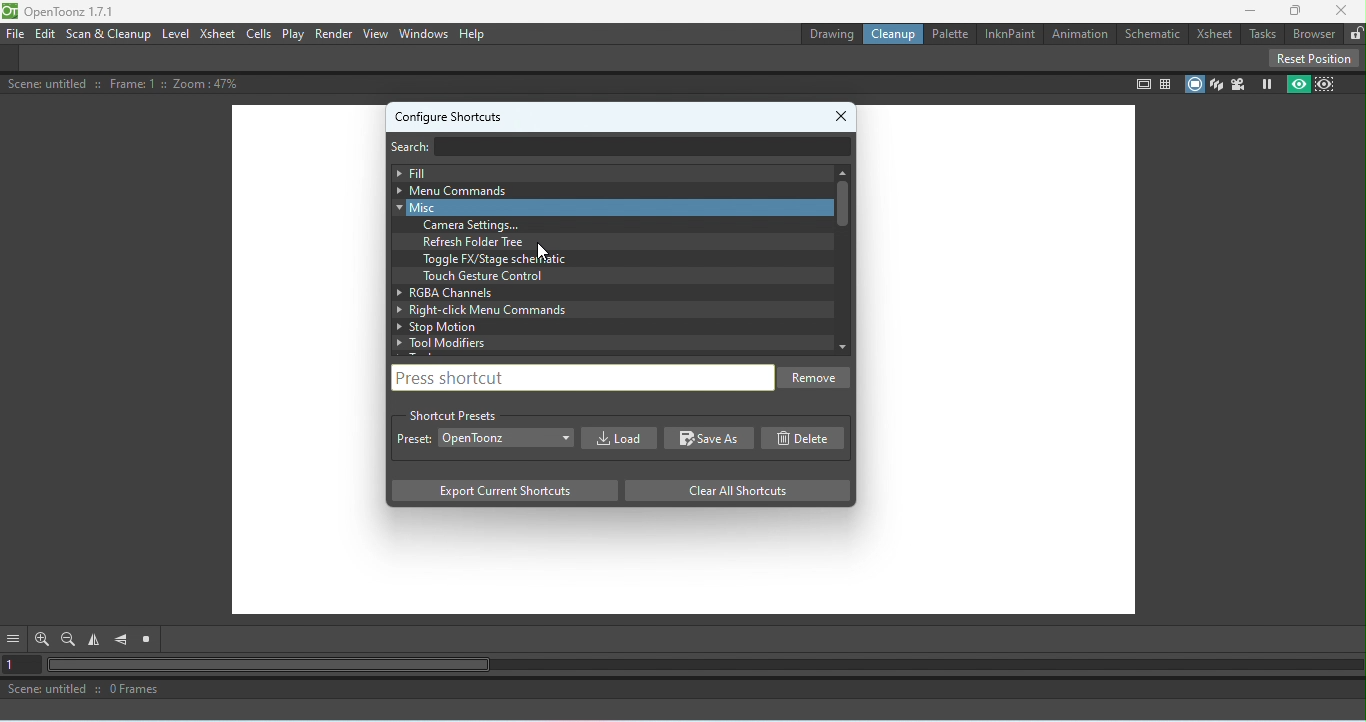 This screenshot has height=722, width=1366. What do you see at coordinates (1238, 84) in the screenshot?
I see `Camera view` at bounding box center [1238, 84].